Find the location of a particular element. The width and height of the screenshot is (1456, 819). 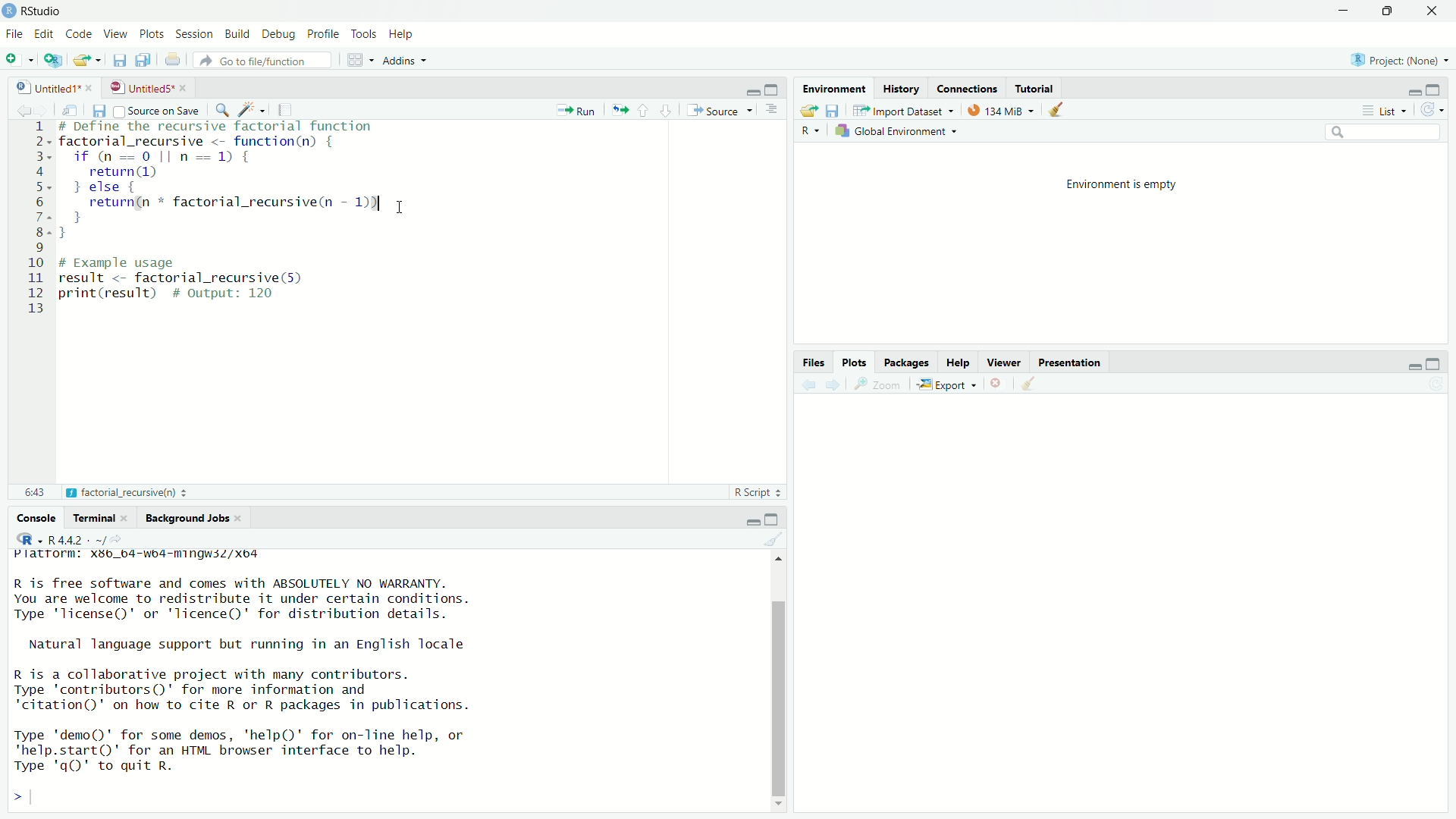

# Derine the recursive tactorial Tunction
factorial_recursive <- function(n) {
ifh=01Iln=1{
return(1)
} else {
return(n * factorial_recursive(n - 1)) |
3}
3}
# Example usage
result <- factorial_recursive(5)
print(result) # Output: 120 is located at coordinates (240, 216).